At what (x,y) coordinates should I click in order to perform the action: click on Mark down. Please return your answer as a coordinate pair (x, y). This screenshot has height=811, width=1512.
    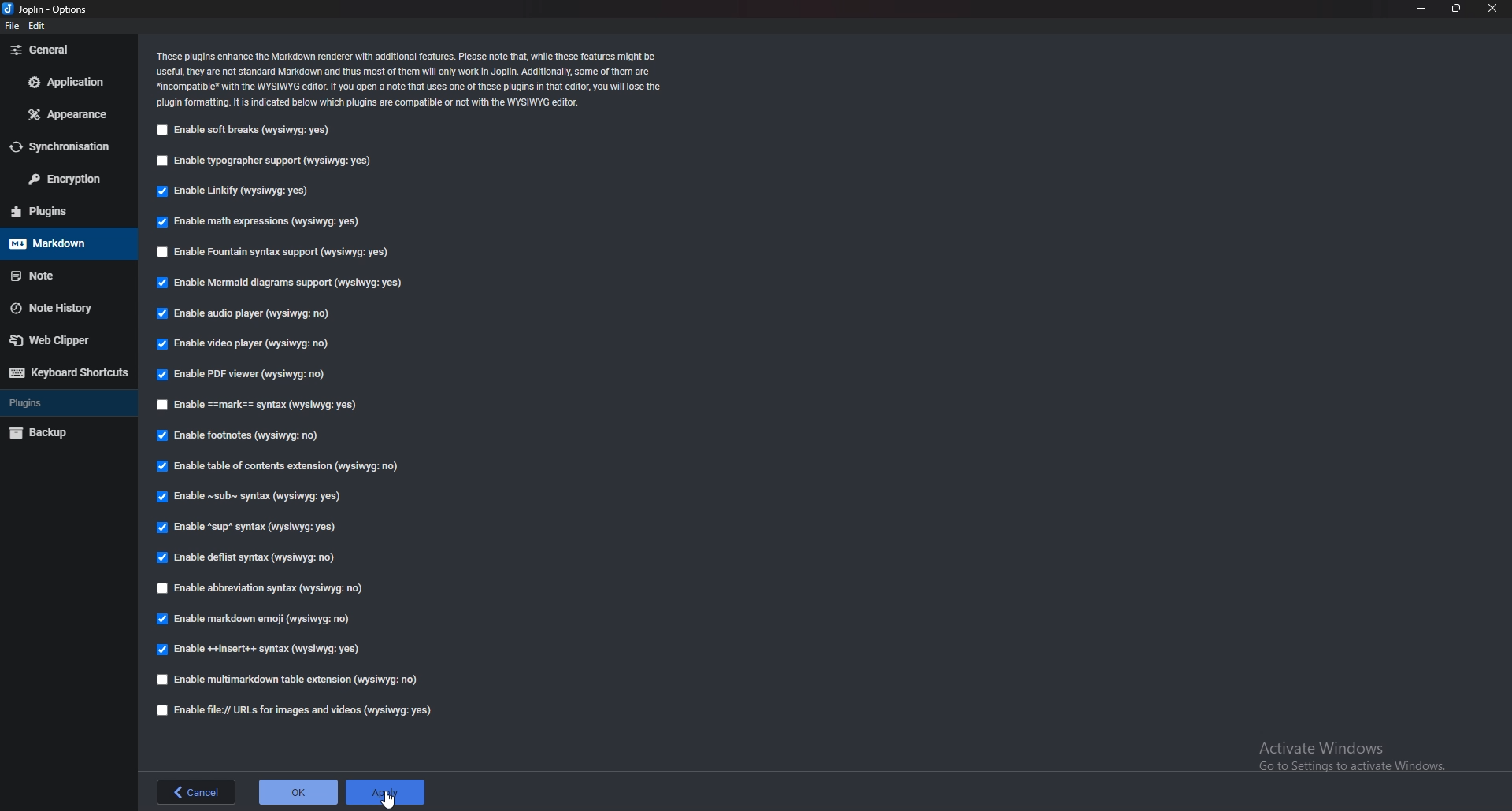
    Looking at the image, I should click on (67, 243).